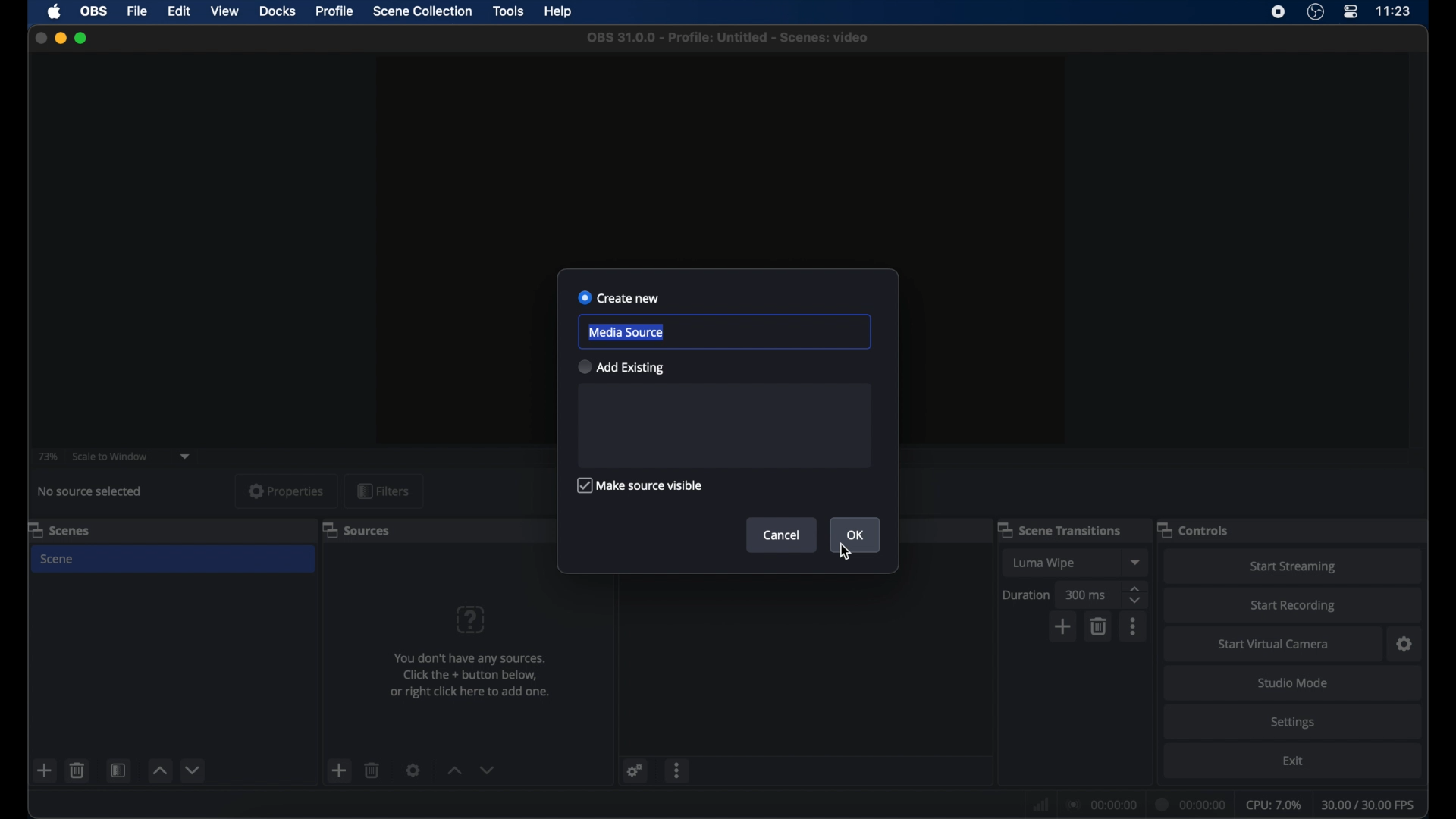 Image resolution: width=1456 pixels, height=819 pixels. What do you see at coordinates (384, 491) in the screenshot?
I see `filters` at bounding box center [384, 491].